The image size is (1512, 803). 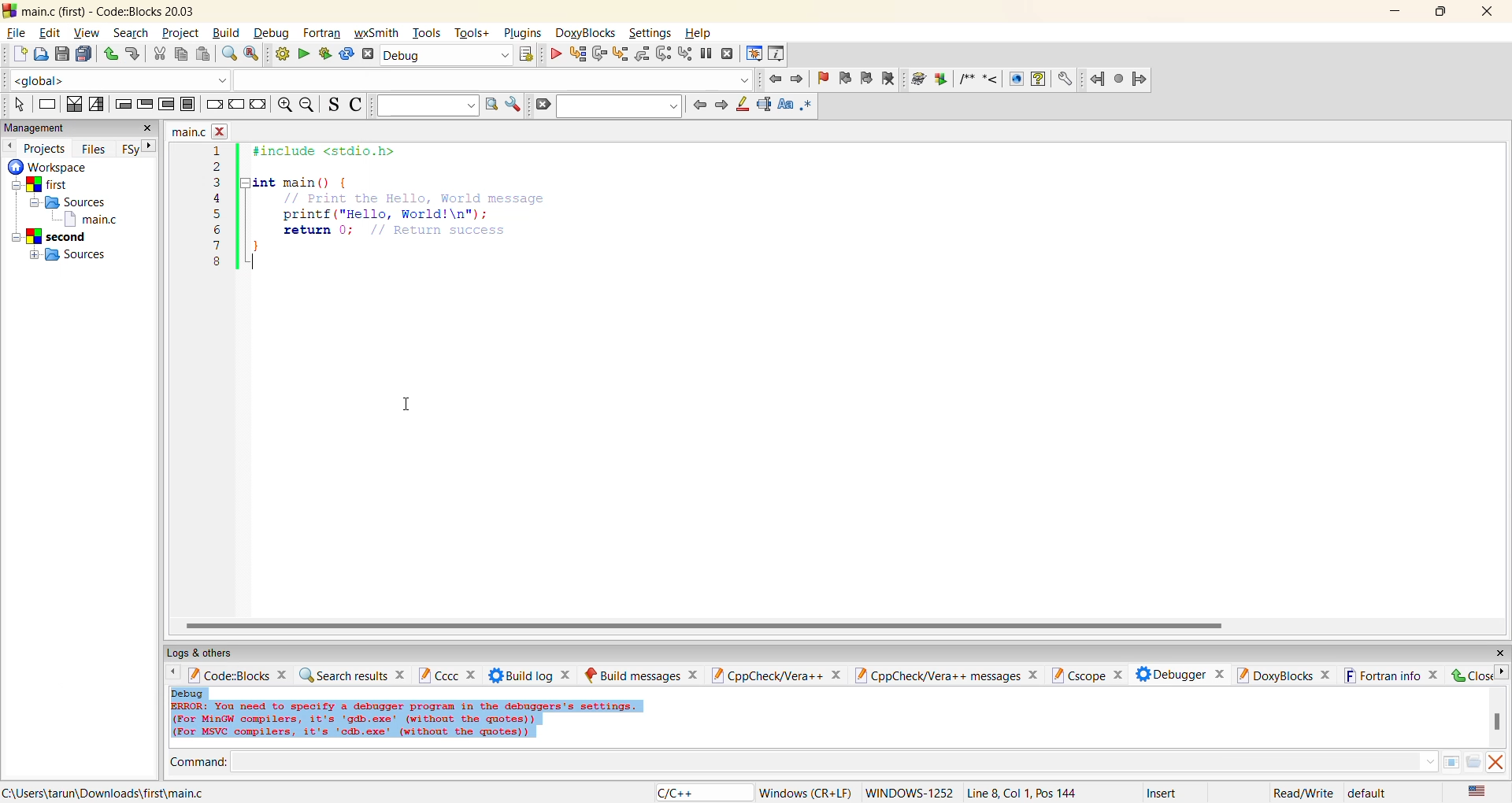 I want to click on continue instruction, so click(x=235, y=105).